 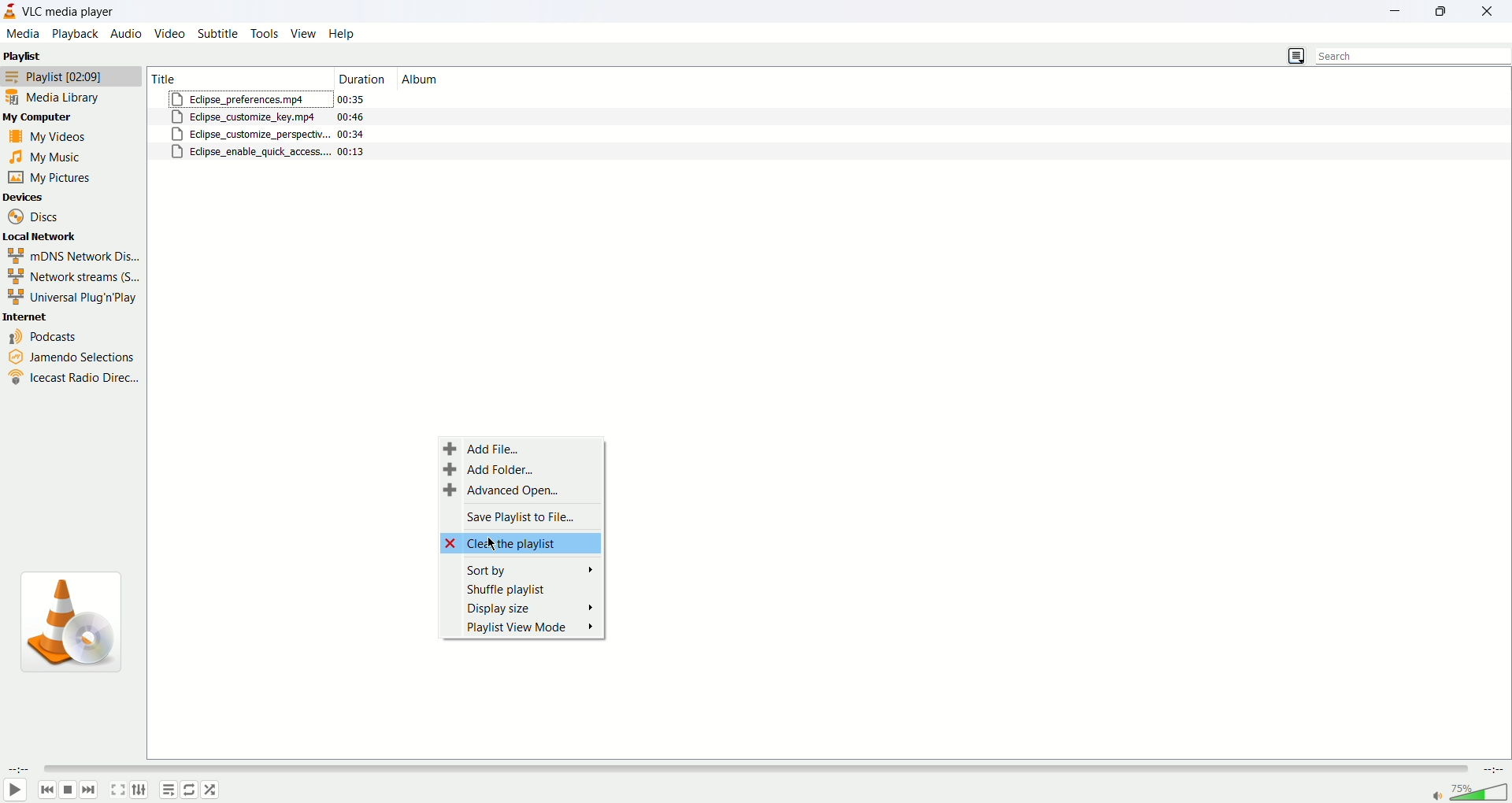 I want to click on play, so click(x=16, y=789).